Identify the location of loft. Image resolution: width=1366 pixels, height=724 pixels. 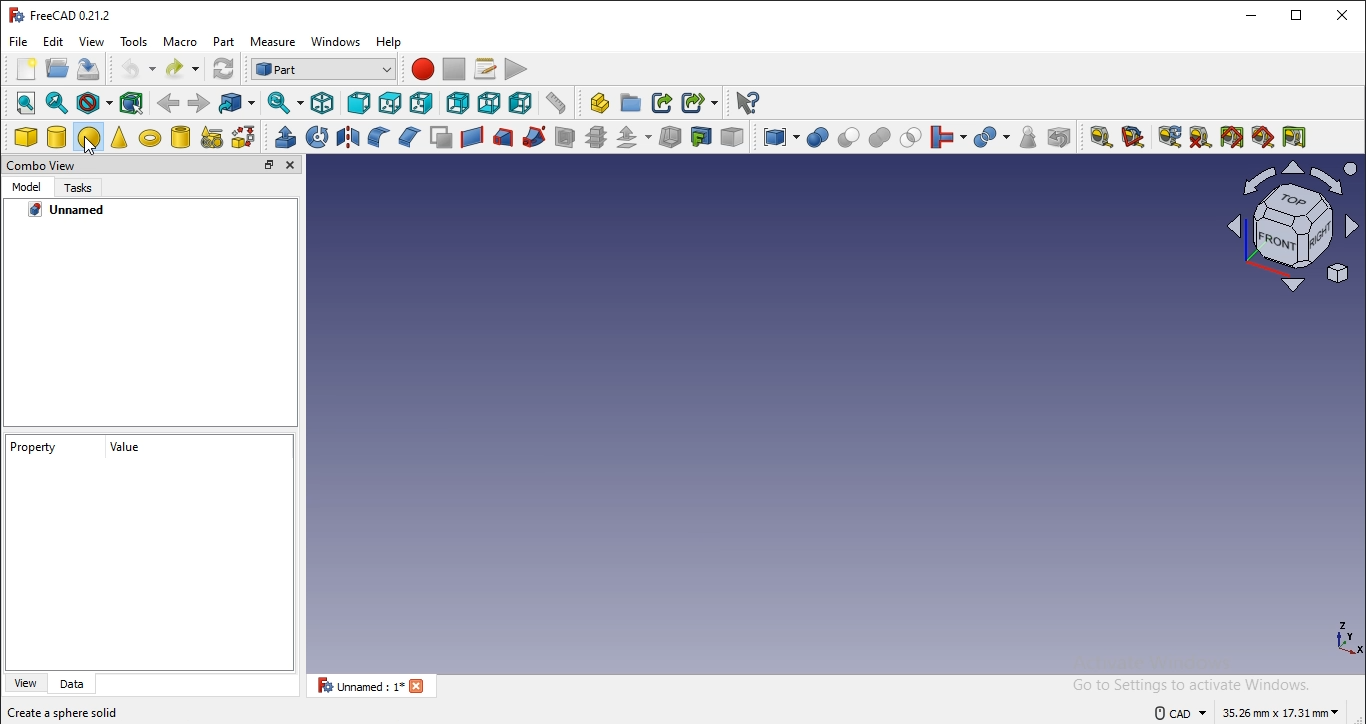
(505, 137).